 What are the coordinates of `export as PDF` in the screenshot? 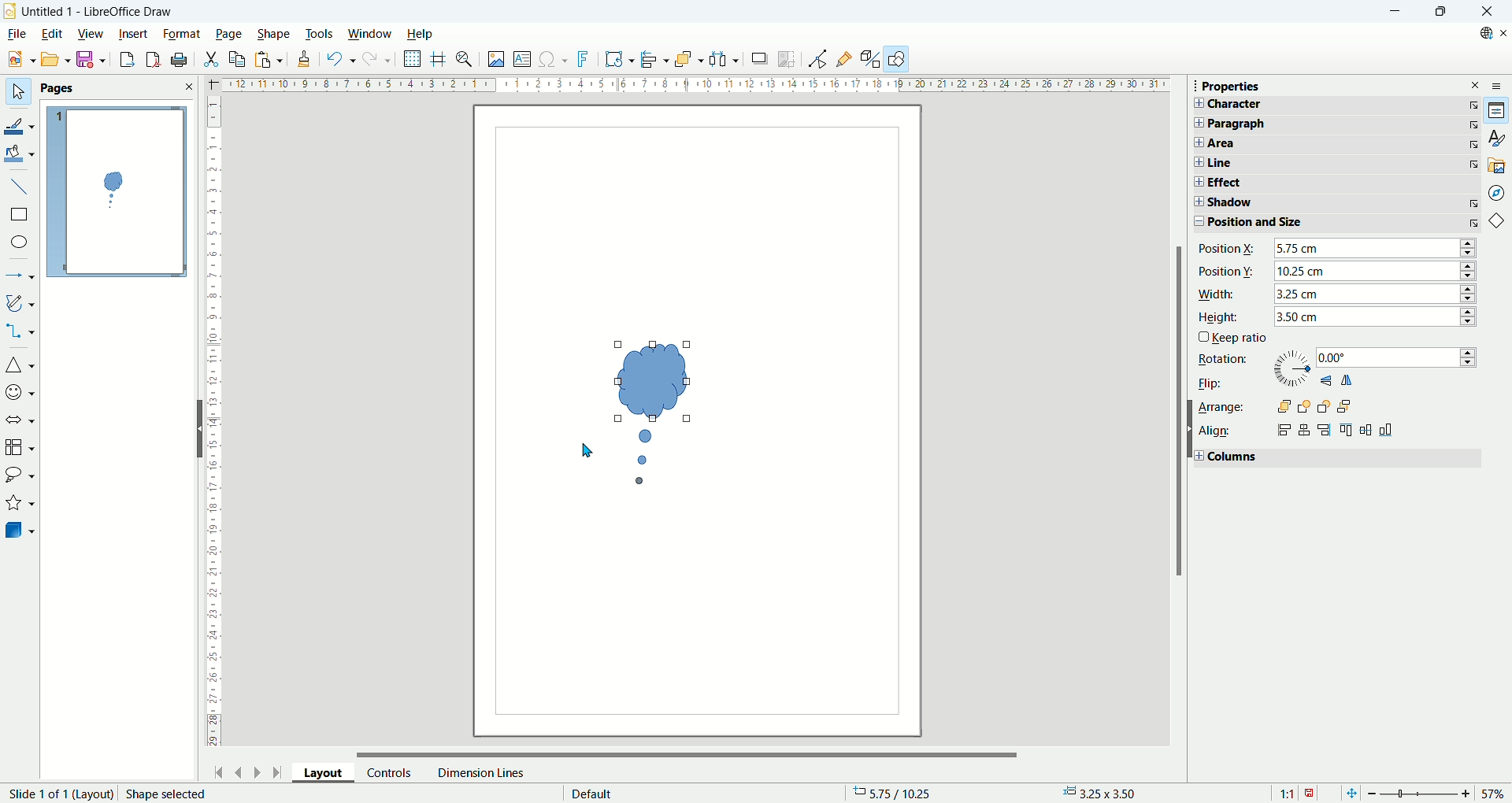 It's located at (151, 60).